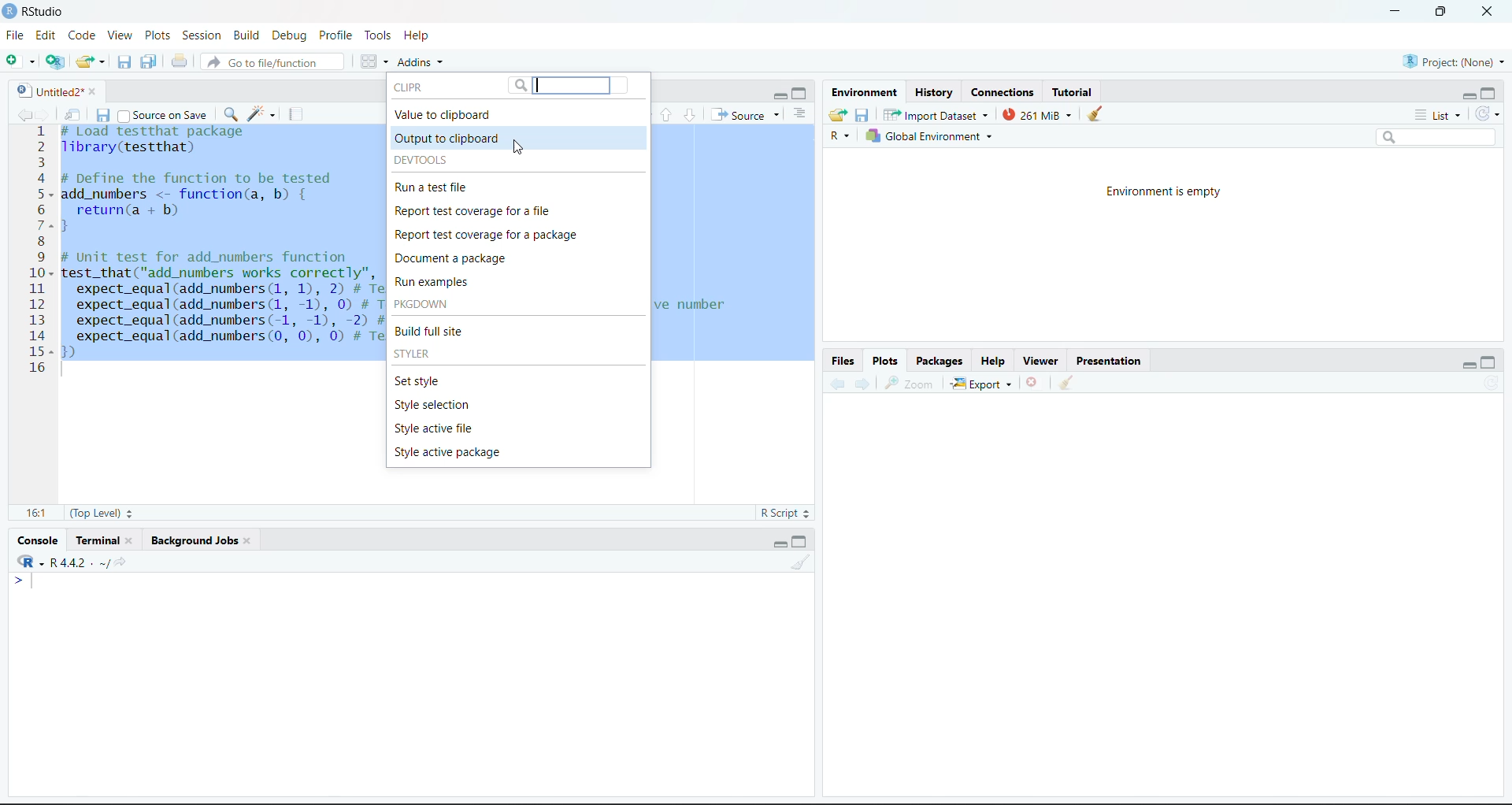 This screenshot has height=805, width=1512. What do you see at coordinates (46, 114) in the screenshot?
I see `go forward` at bounding box center [46, 114].